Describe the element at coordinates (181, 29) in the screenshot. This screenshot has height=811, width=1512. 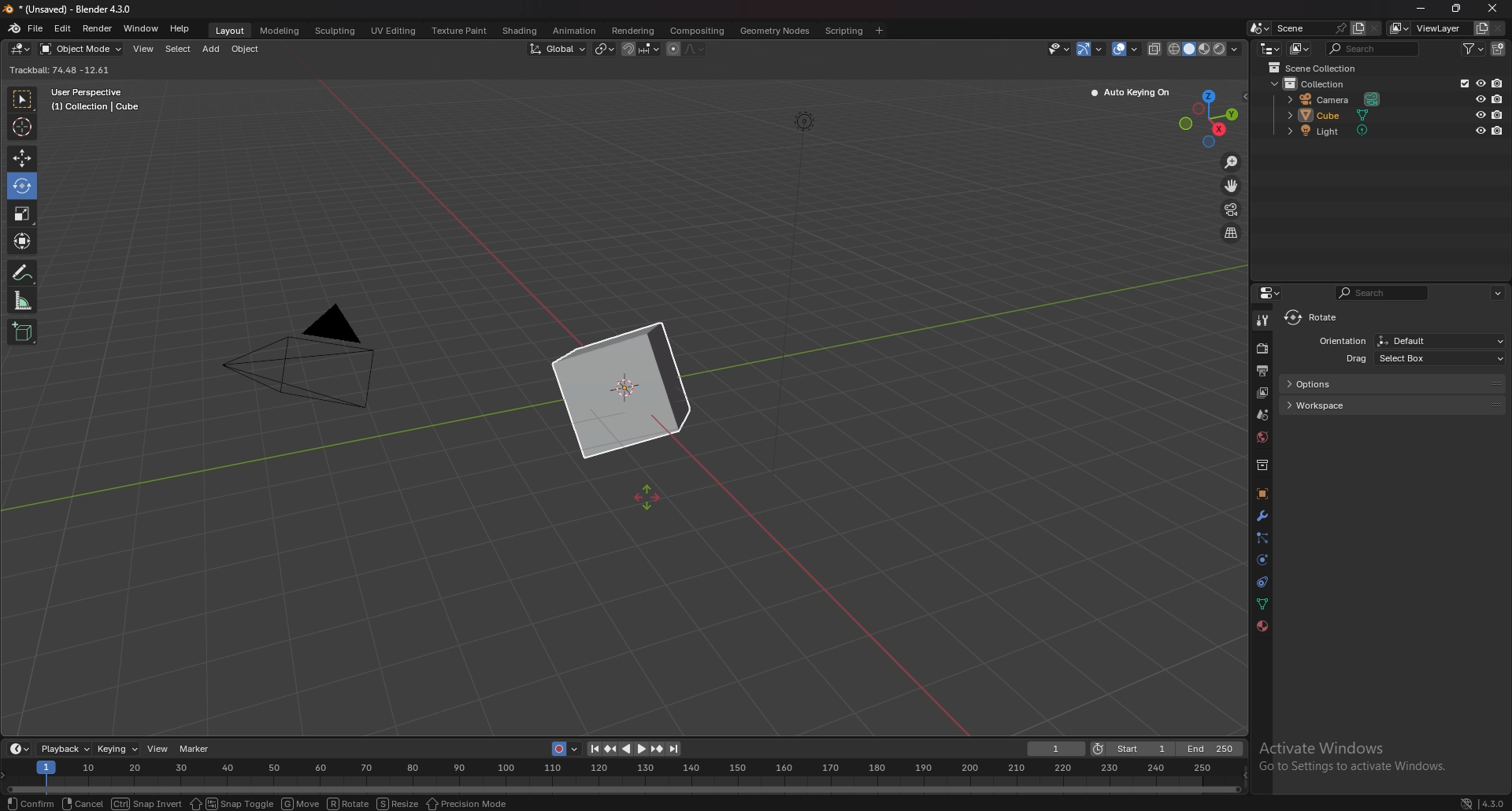
I see `help` at that location.